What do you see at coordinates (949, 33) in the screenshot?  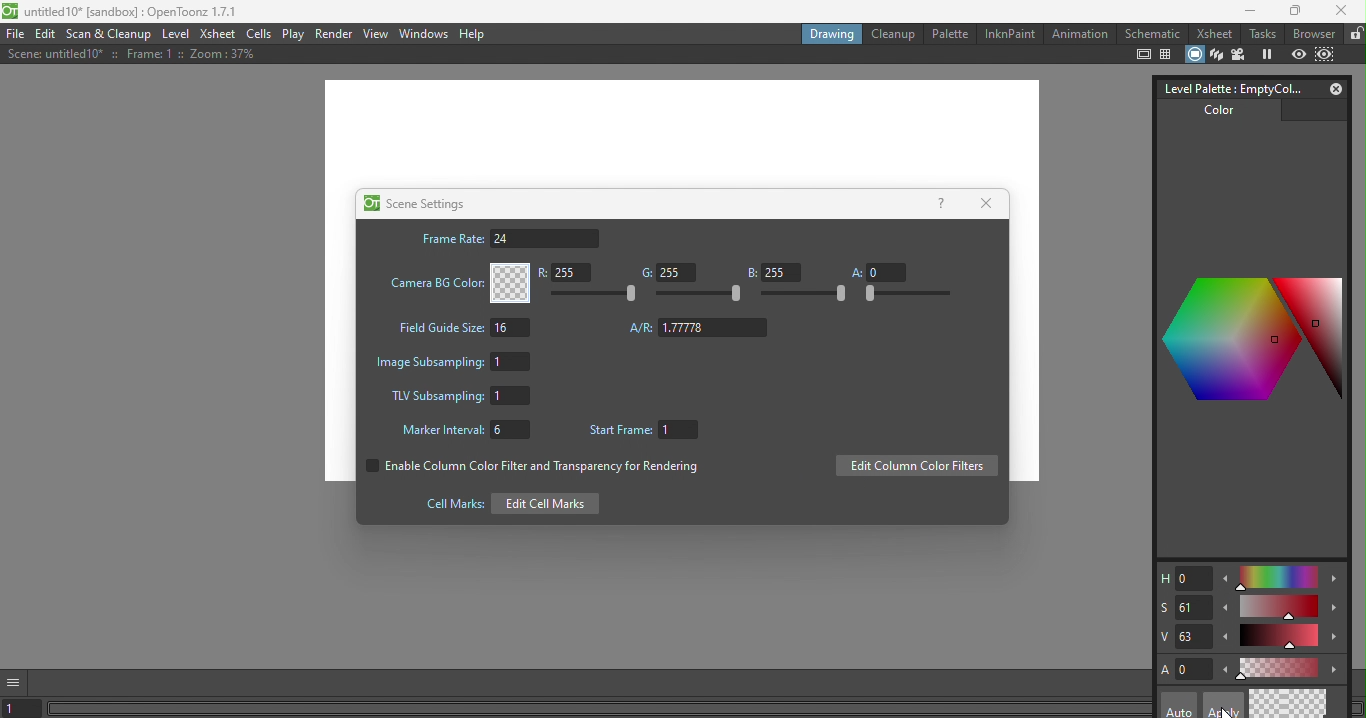 I see `Palette` at bounding box center [949, 33].